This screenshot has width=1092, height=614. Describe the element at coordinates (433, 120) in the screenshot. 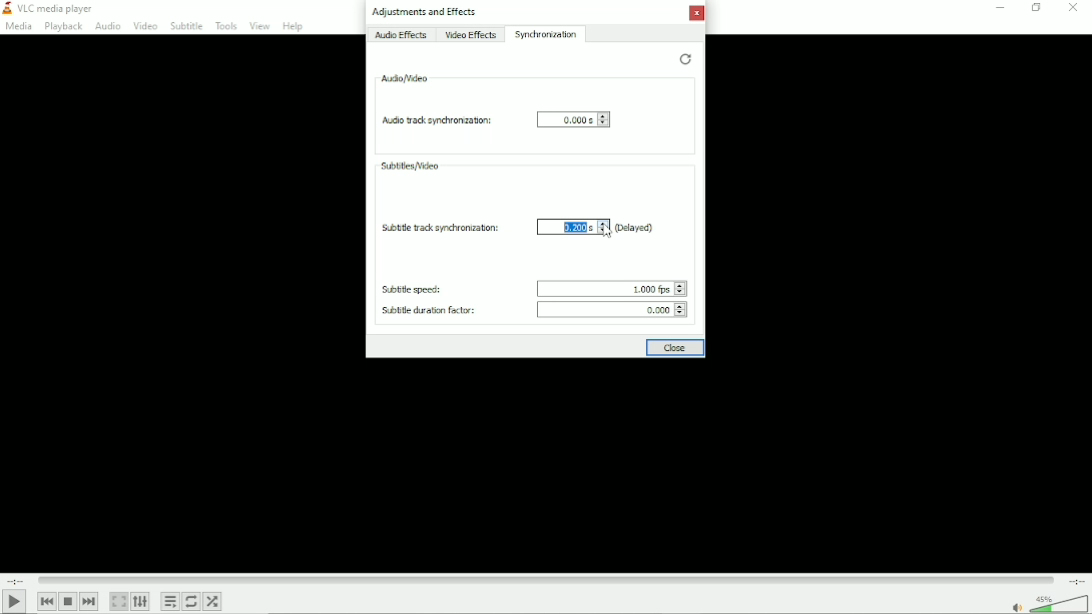

I see `Audio track synchronization` at that location.